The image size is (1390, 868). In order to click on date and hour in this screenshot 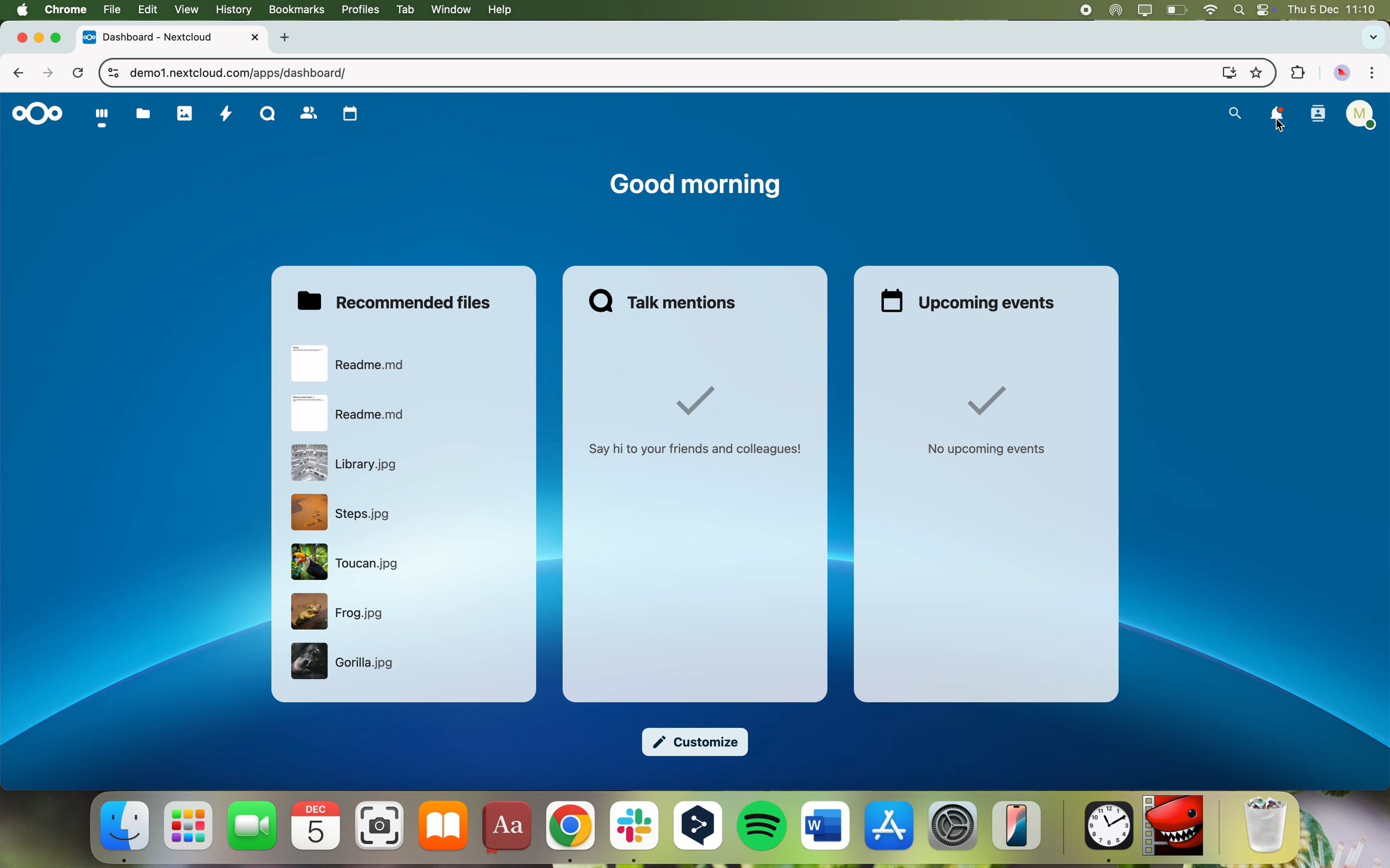, I will do `click(1337, 10)`.